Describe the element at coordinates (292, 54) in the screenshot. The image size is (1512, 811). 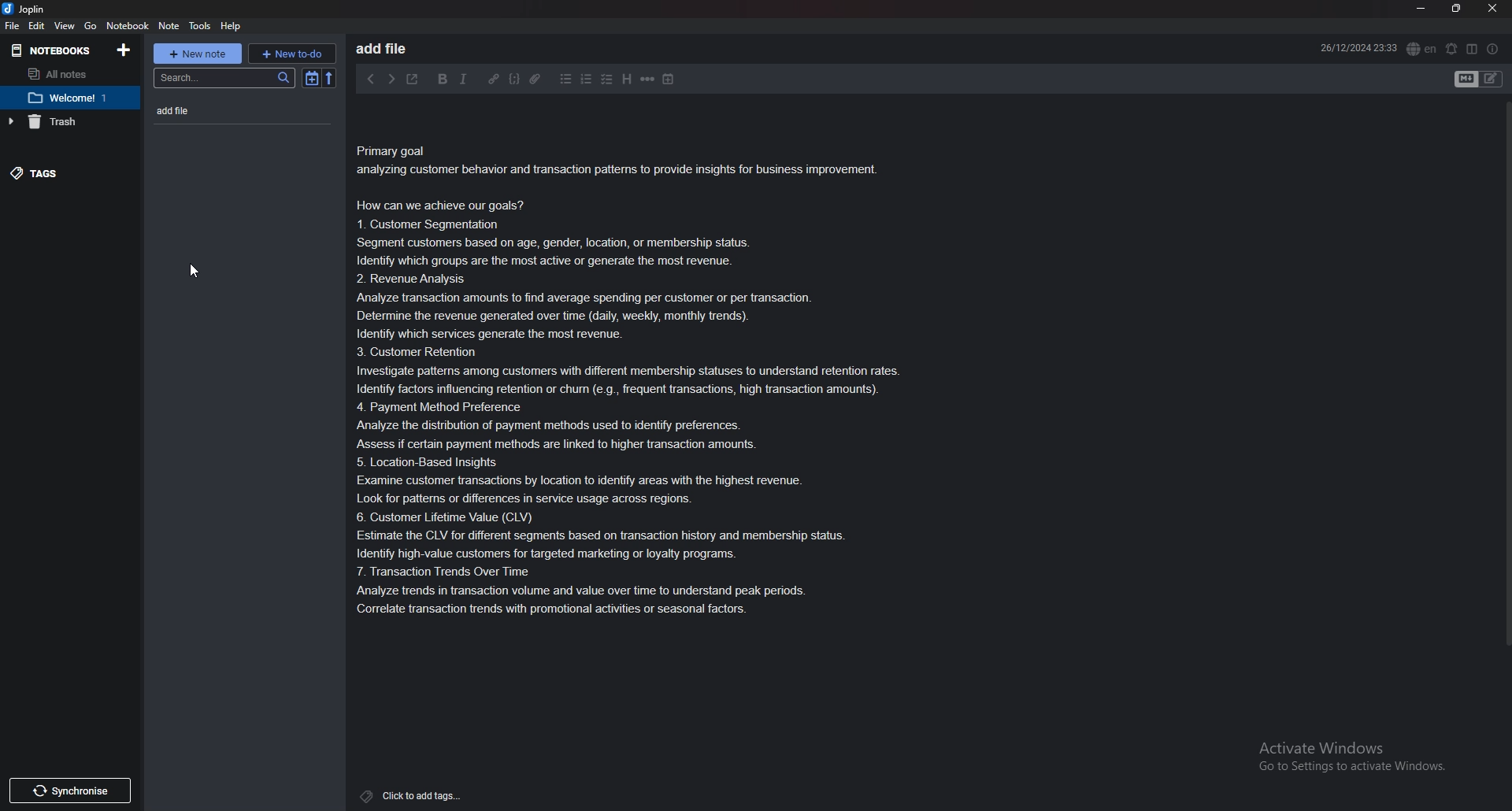
I see `new to do` at that location.